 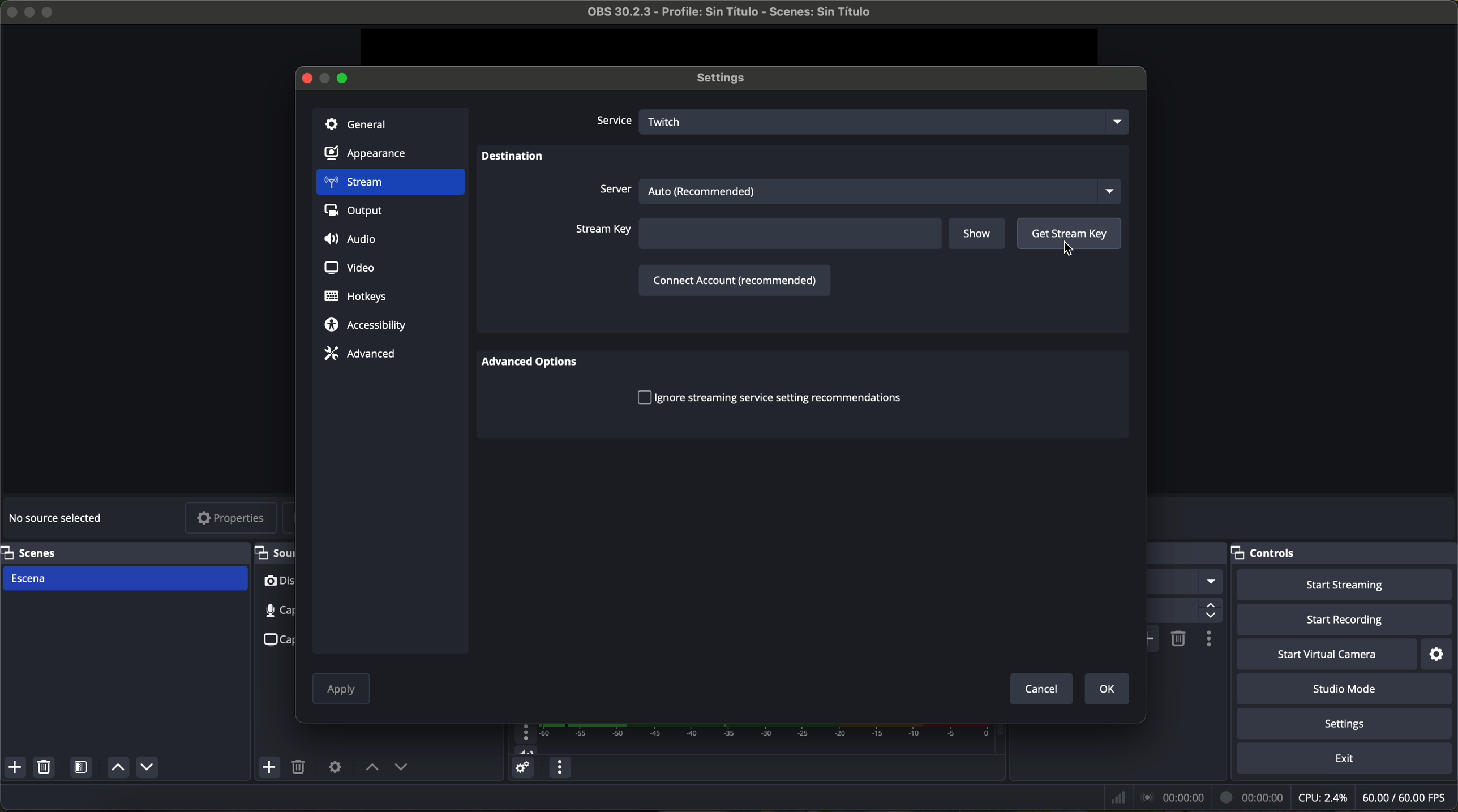 What do you see at coordinates (1069, 239) in the screenshot?
I see `click on get stream key` at bounding box center [1069, 239].